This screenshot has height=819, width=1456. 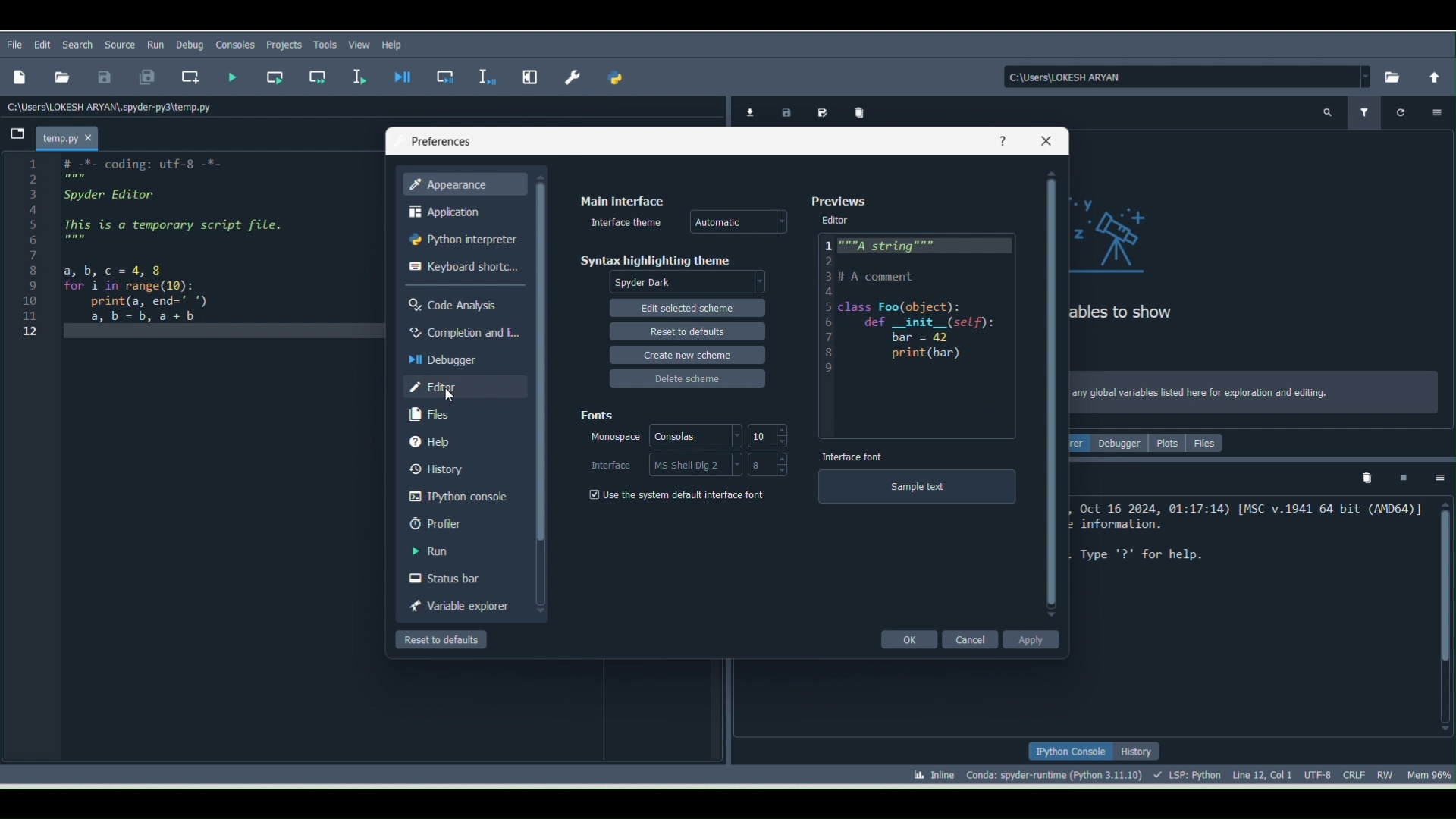 I want to click on Keyboard shortcuts, so click(x=463, y=269).